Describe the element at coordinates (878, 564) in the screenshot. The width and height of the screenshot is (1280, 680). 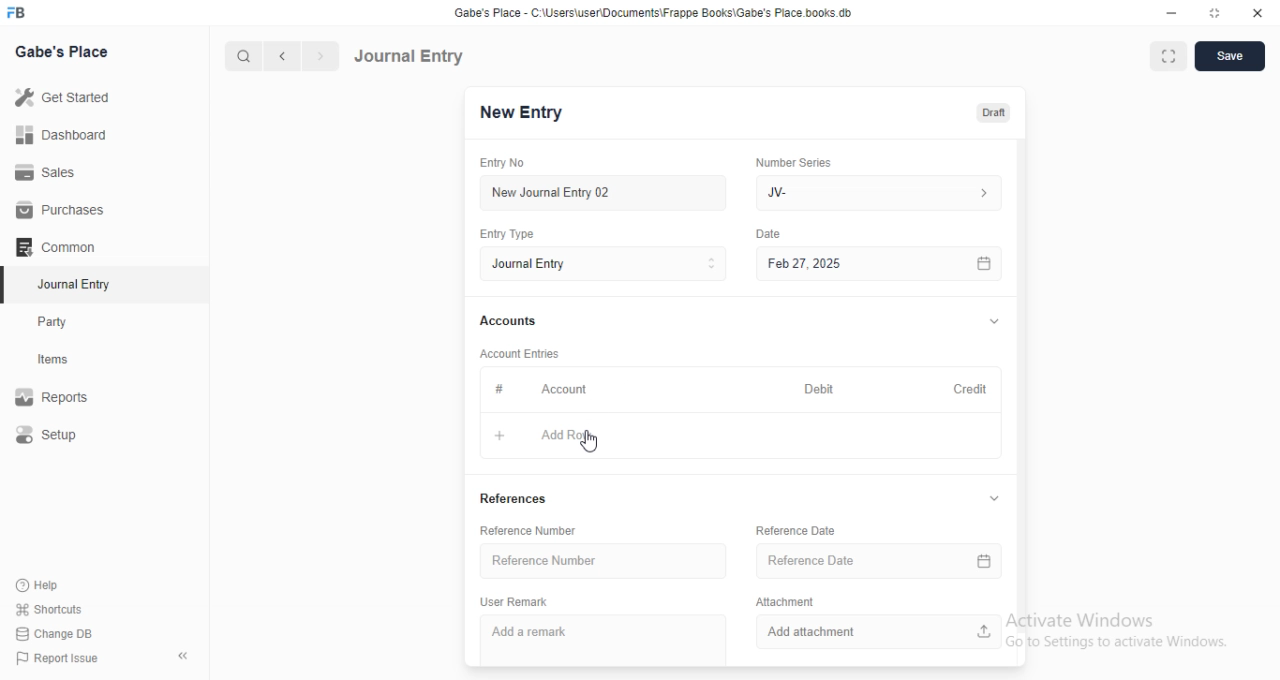
I see `Reference Date.` at that location.